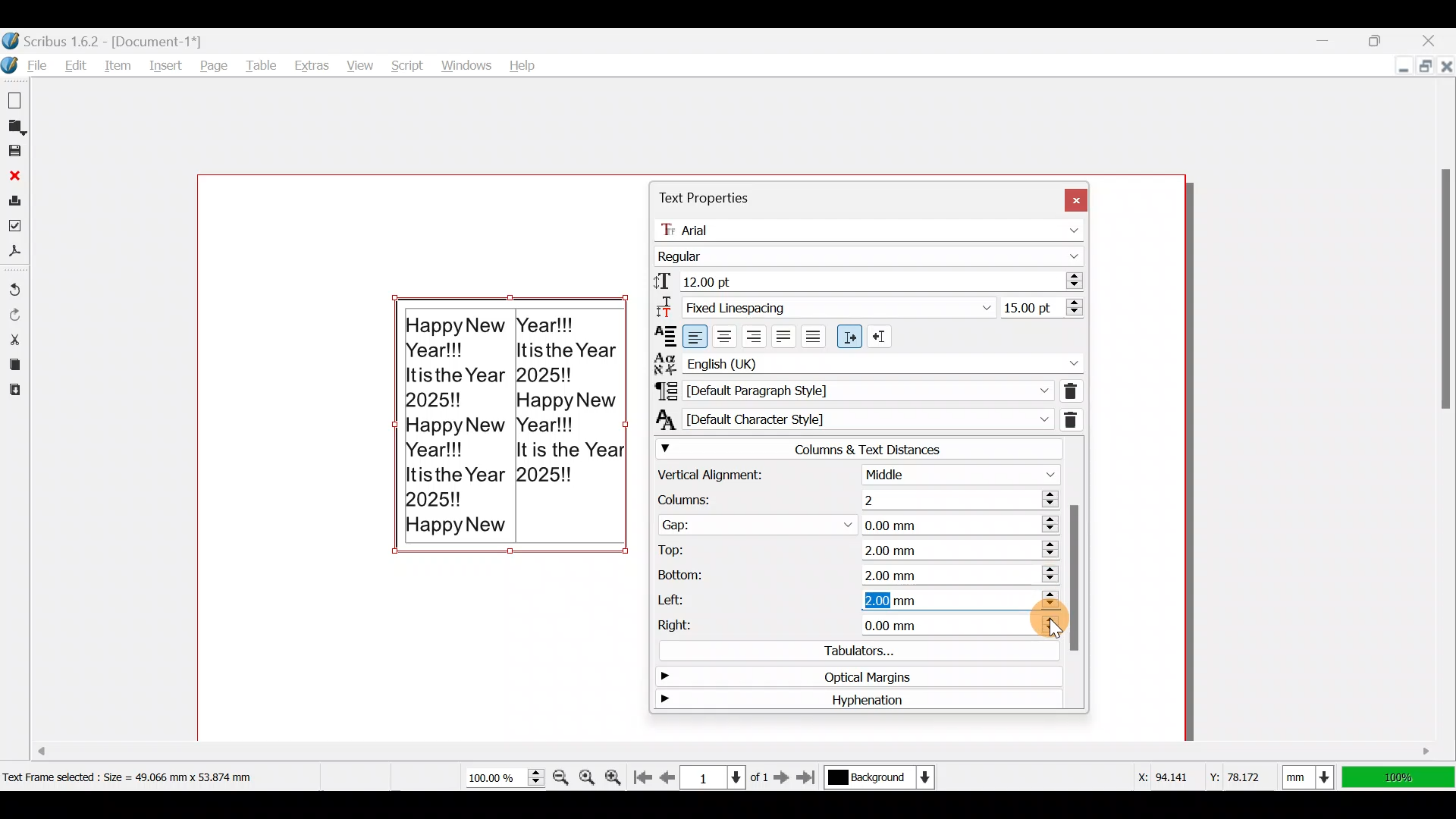 This screenshot has height=819, width=1456. What do you see at coordinates (1070, 389) in the screenshot?
I see `Remove direct paragraph formatting` at bounding box center [1070, 389].